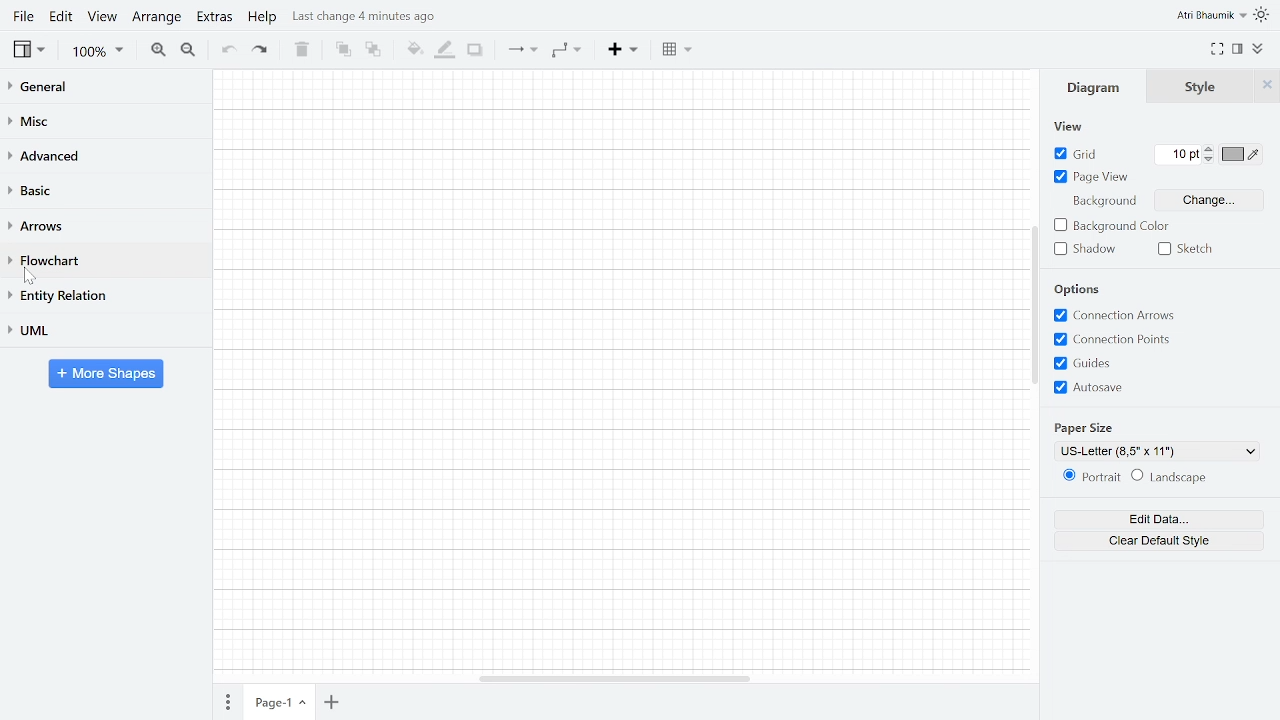  Describe the element at coordinates (1178, 477) in the screenshot. I see `Landscape` at that location.